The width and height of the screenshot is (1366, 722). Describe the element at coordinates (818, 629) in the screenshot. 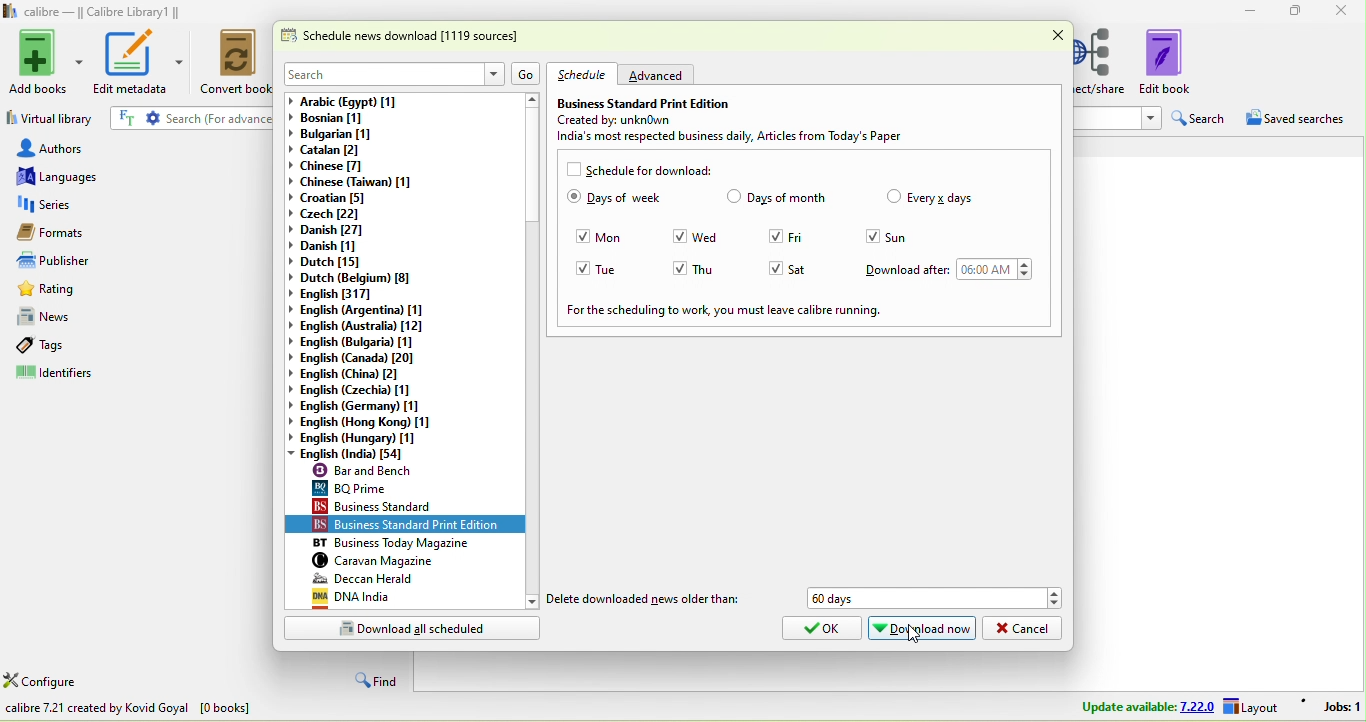

I see `ok` at that location.